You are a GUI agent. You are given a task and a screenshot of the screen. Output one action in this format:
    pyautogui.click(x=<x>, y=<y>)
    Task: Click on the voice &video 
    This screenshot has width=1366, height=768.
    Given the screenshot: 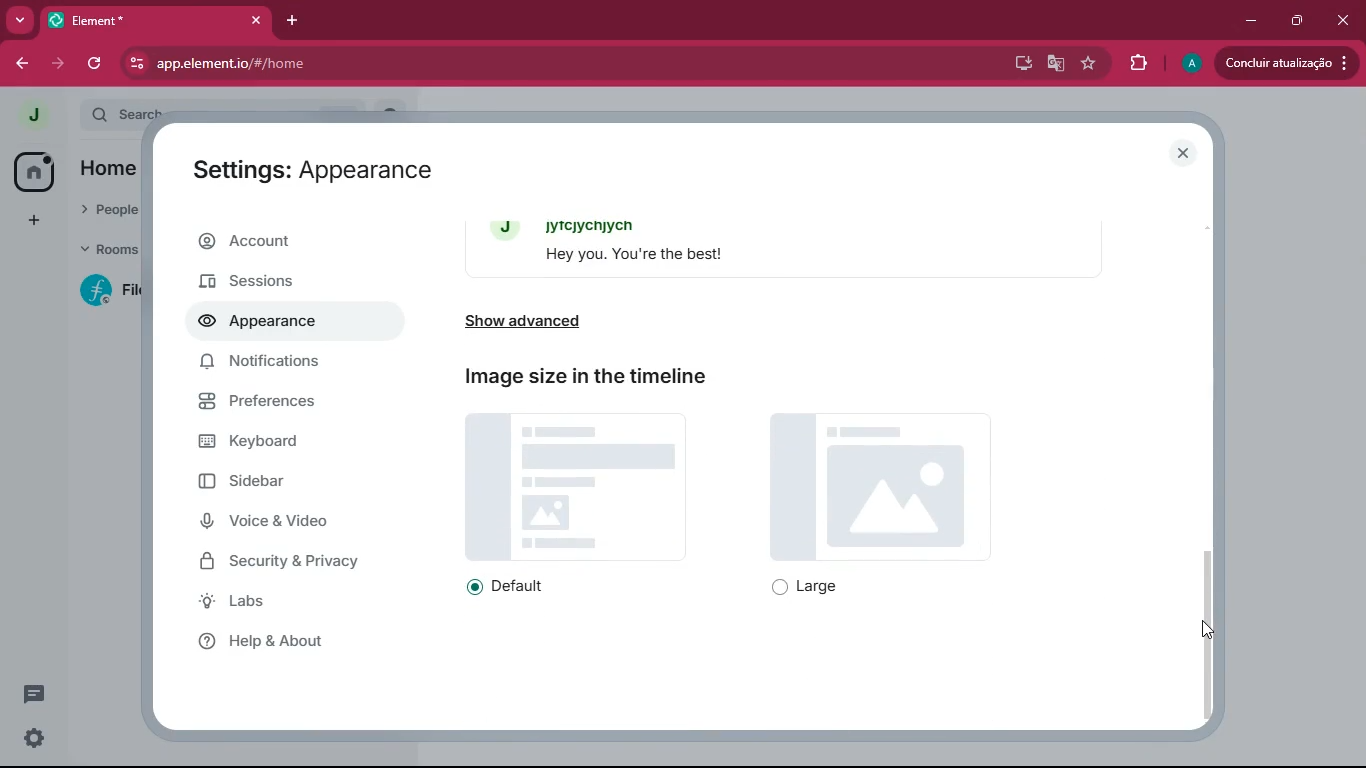 What is the action you would take?
    pyautogui.click(x=290, y=523)
    